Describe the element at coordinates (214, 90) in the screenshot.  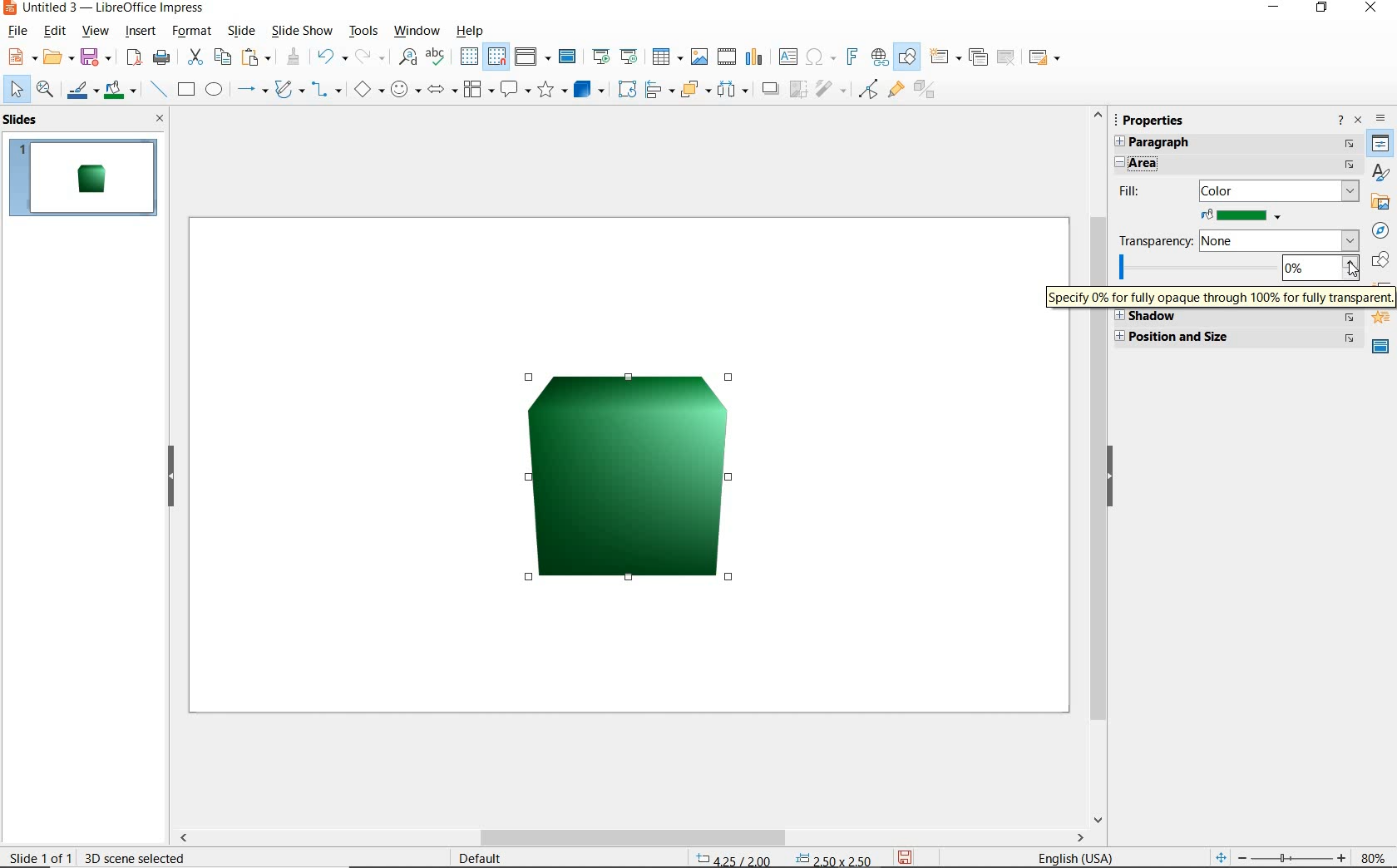
I see `ellipse` at that location.